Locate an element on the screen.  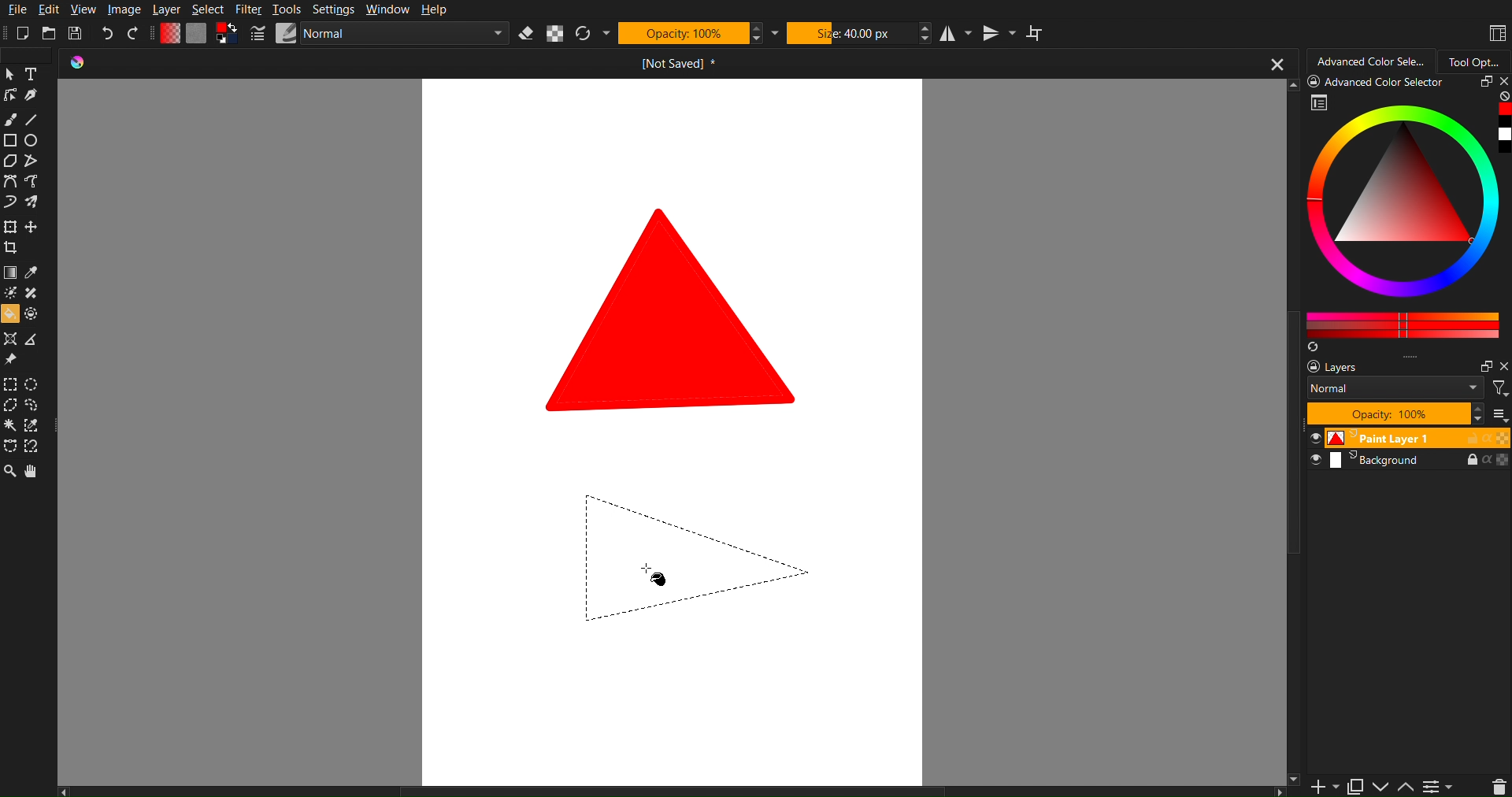
Shapper is located at coordinates (9, 339).